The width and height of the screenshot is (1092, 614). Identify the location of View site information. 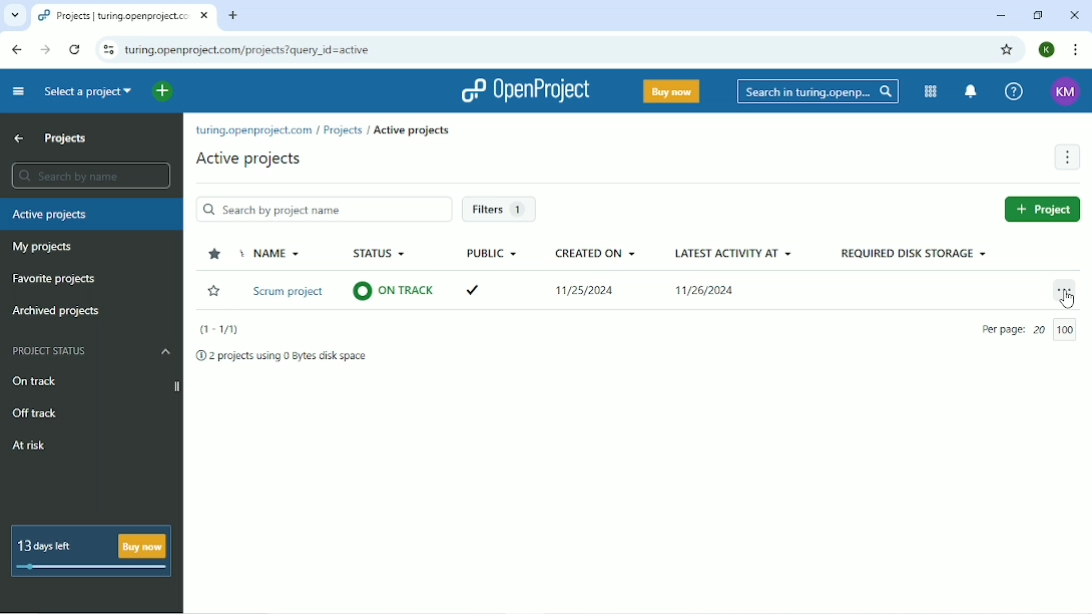
(108, 52).